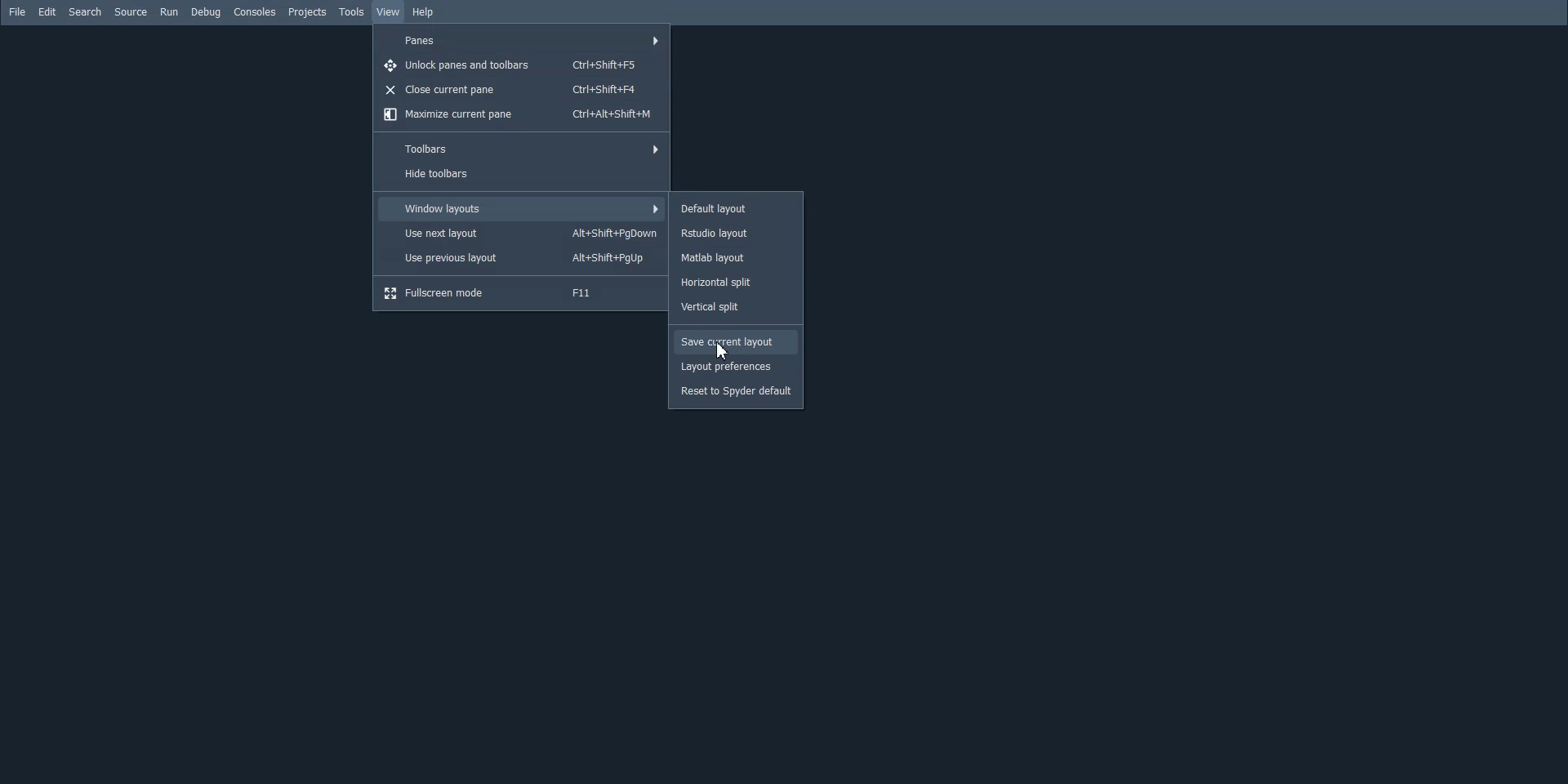 The image size is (1568, 784). Describe the element at coordinates (519, 66) in the screenshot. I see `Unlock panes and toolbars` at that location.